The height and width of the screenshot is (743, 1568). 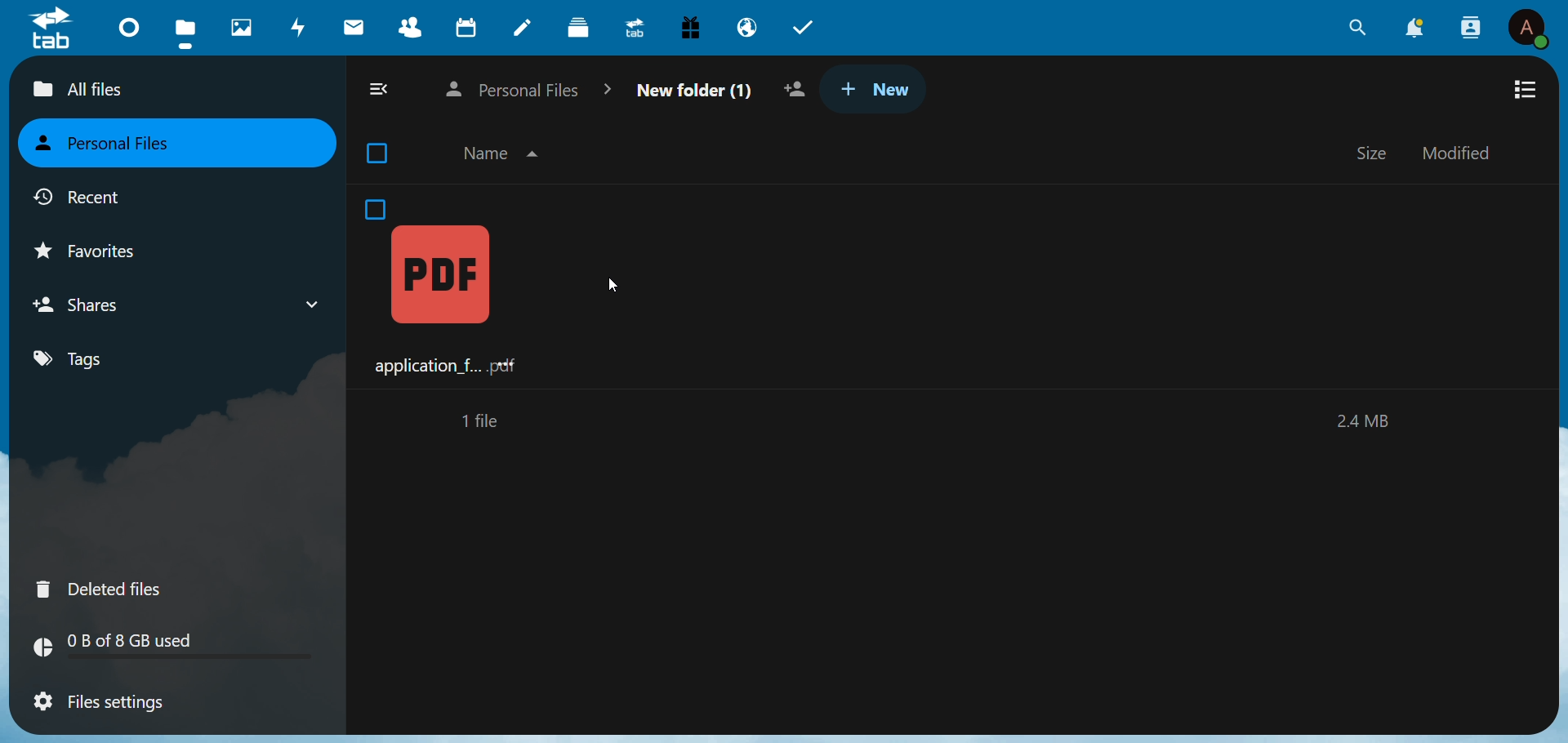 I want to click on deleted files, so click(x=101, y=588).